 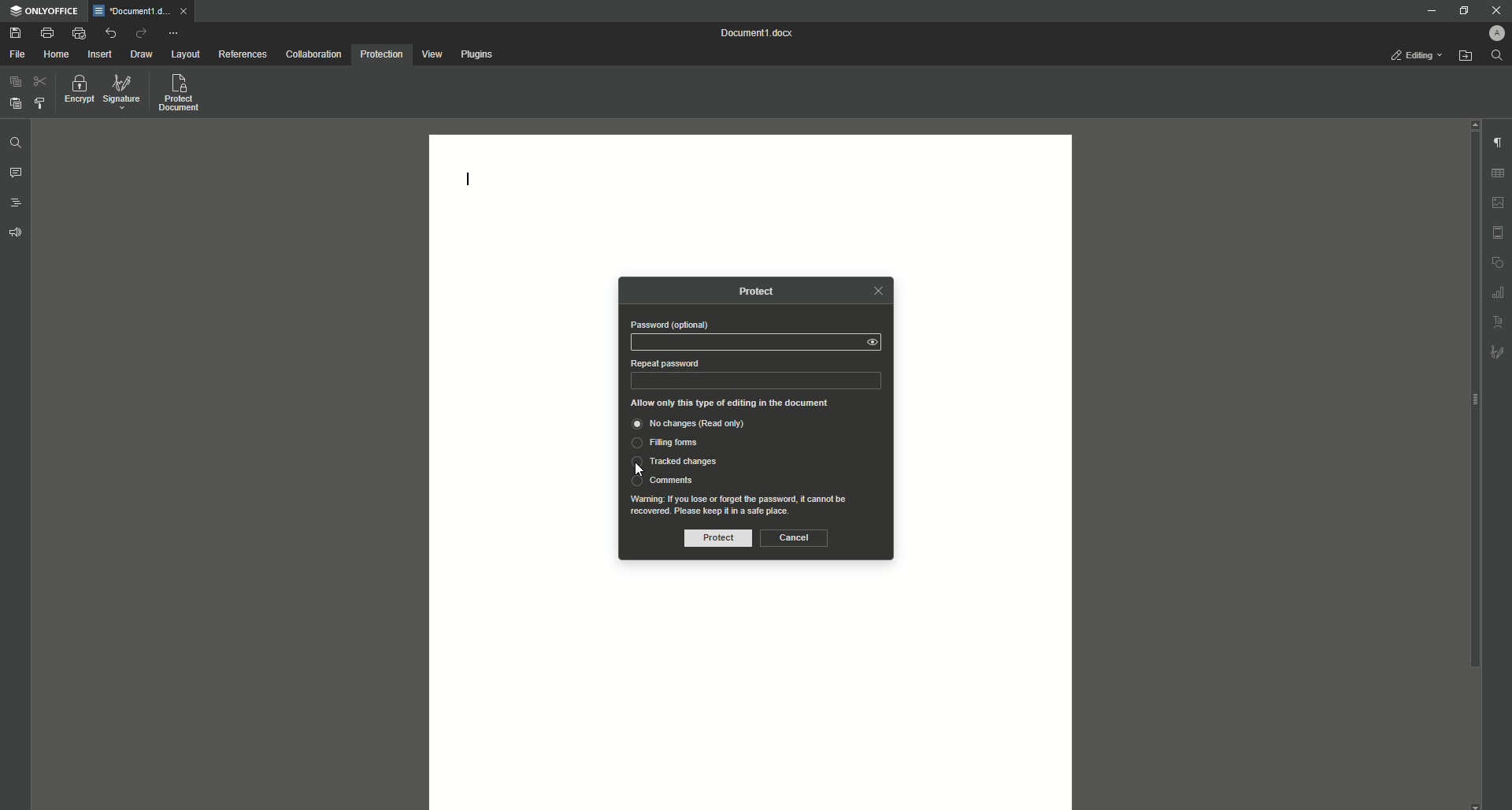 I want to click on Protect, so click(x=754, y=292).